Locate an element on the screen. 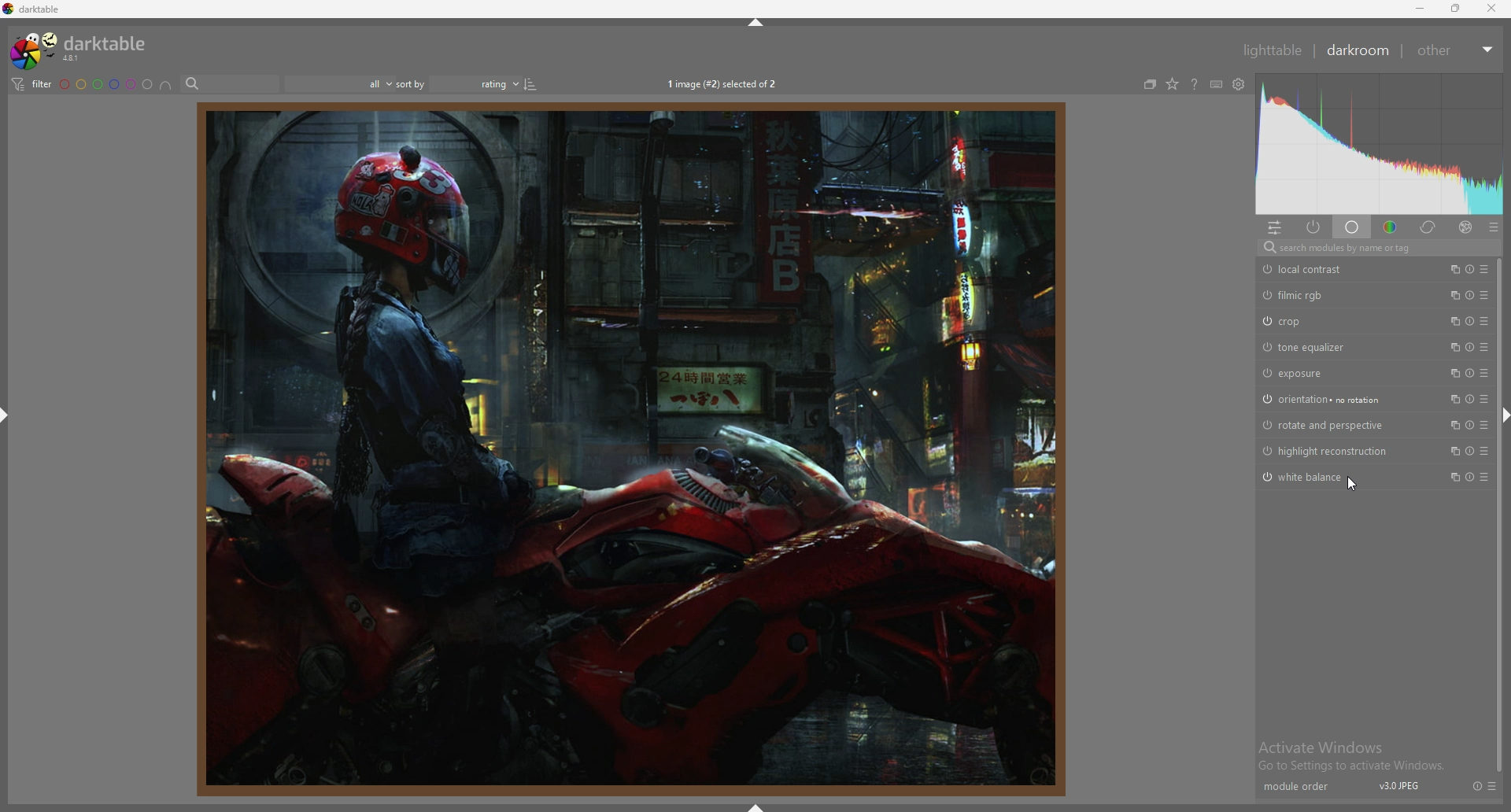 The width and height of the screenshot is (1511, 812). darktable is located at coordinates (82, 48).